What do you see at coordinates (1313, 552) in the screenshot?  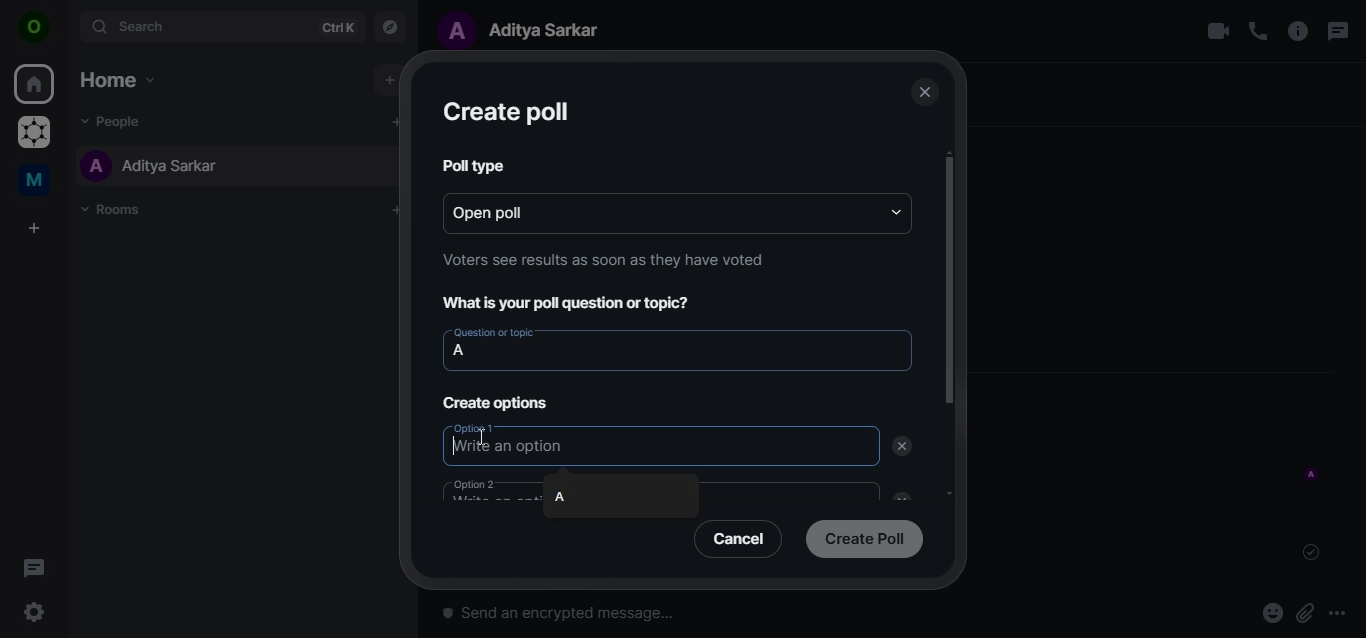 I see `message sent` at bounding box center [1313, 552].